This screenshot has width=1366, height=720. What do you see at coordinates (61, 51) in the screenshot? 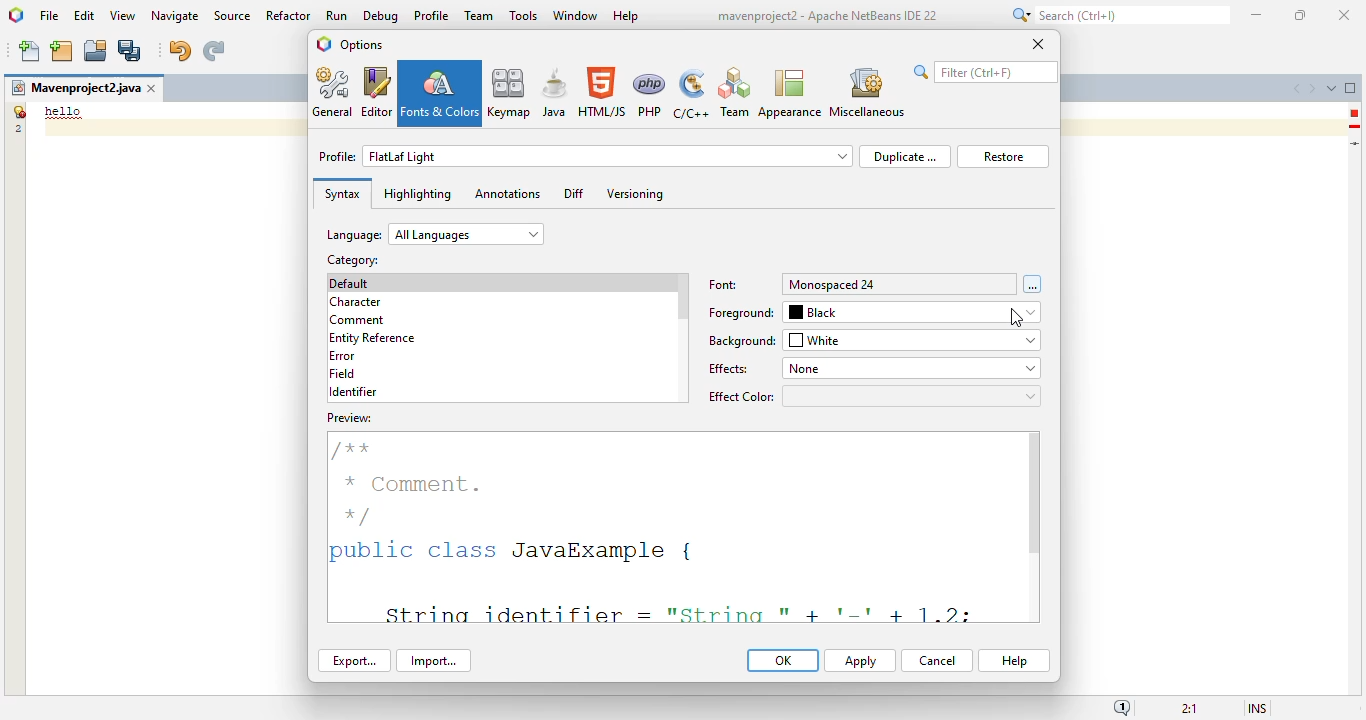
I see `new project` at bounding box center [61, 51].